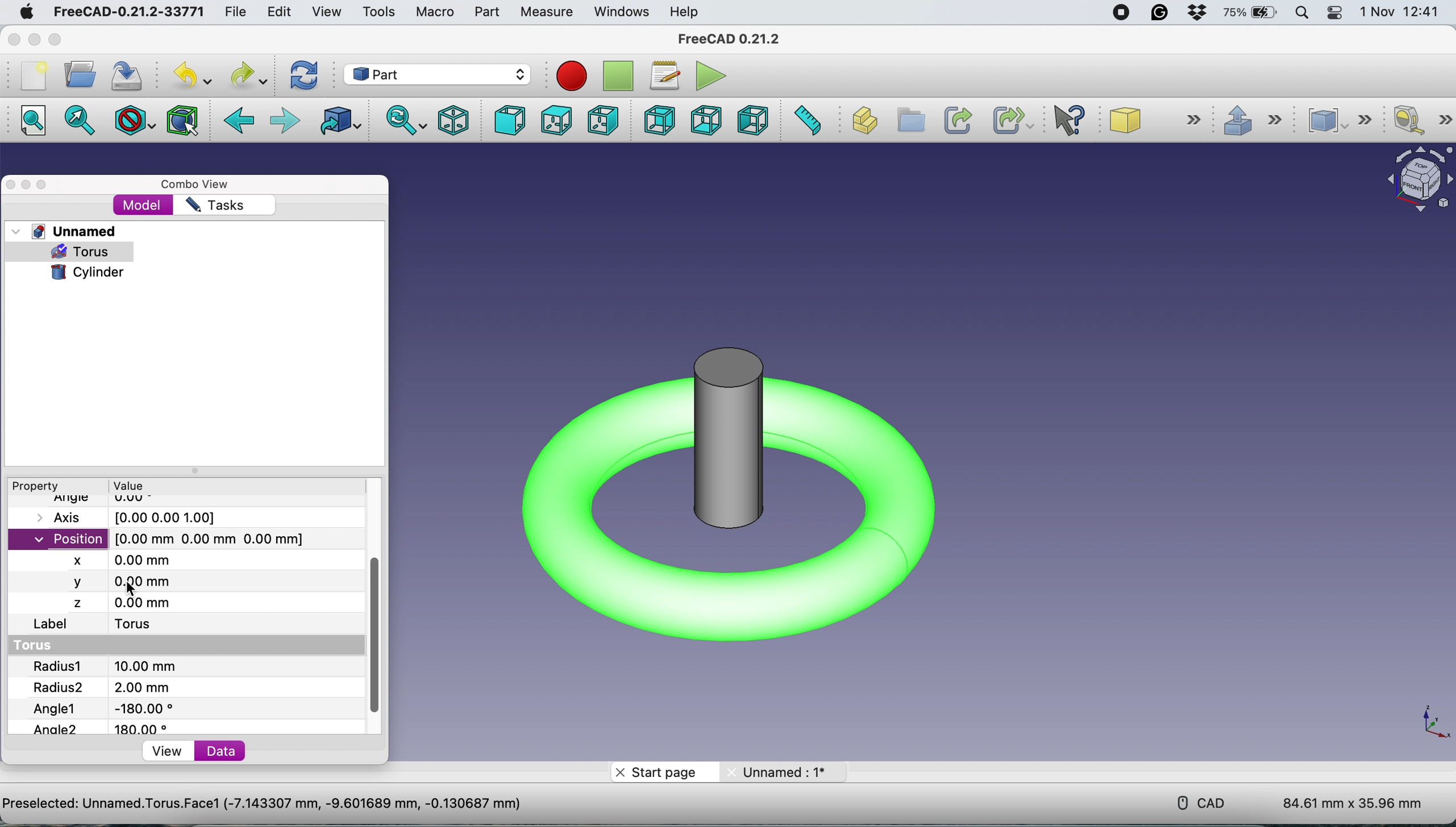 Image resolution: width=1456 pixels, height=827 pixels. Describe the element at coordinates (52, 625) in the screenshot. I see `label` at that location.